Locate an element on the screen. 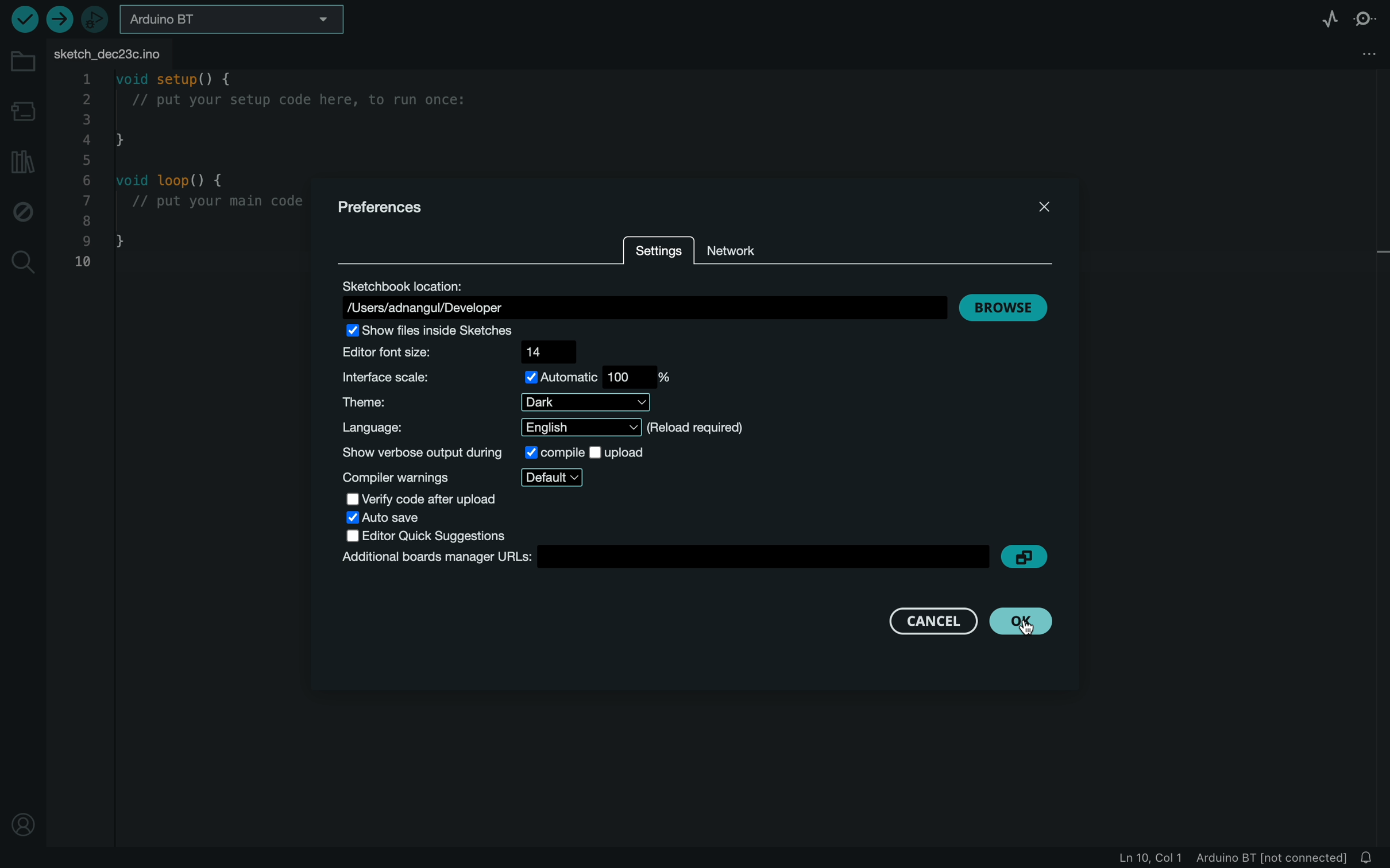 This screenshot has width=1390, height=868. serial plotter is located at coordinates (1326, 17).